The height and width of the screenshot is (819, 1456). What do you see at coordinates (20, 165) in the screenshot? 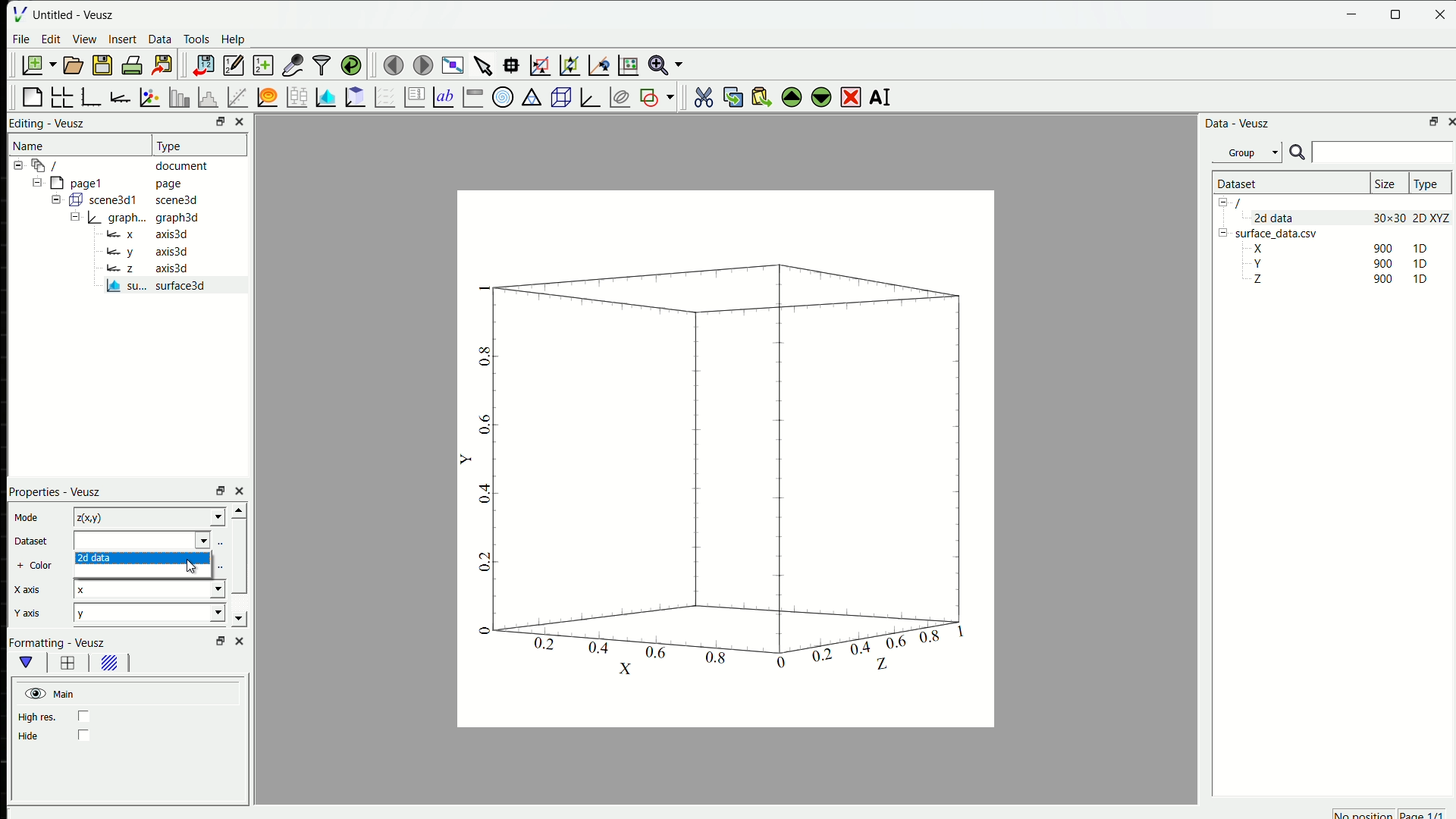
I see `Collapse /expand` at bounding box center [20, 165].